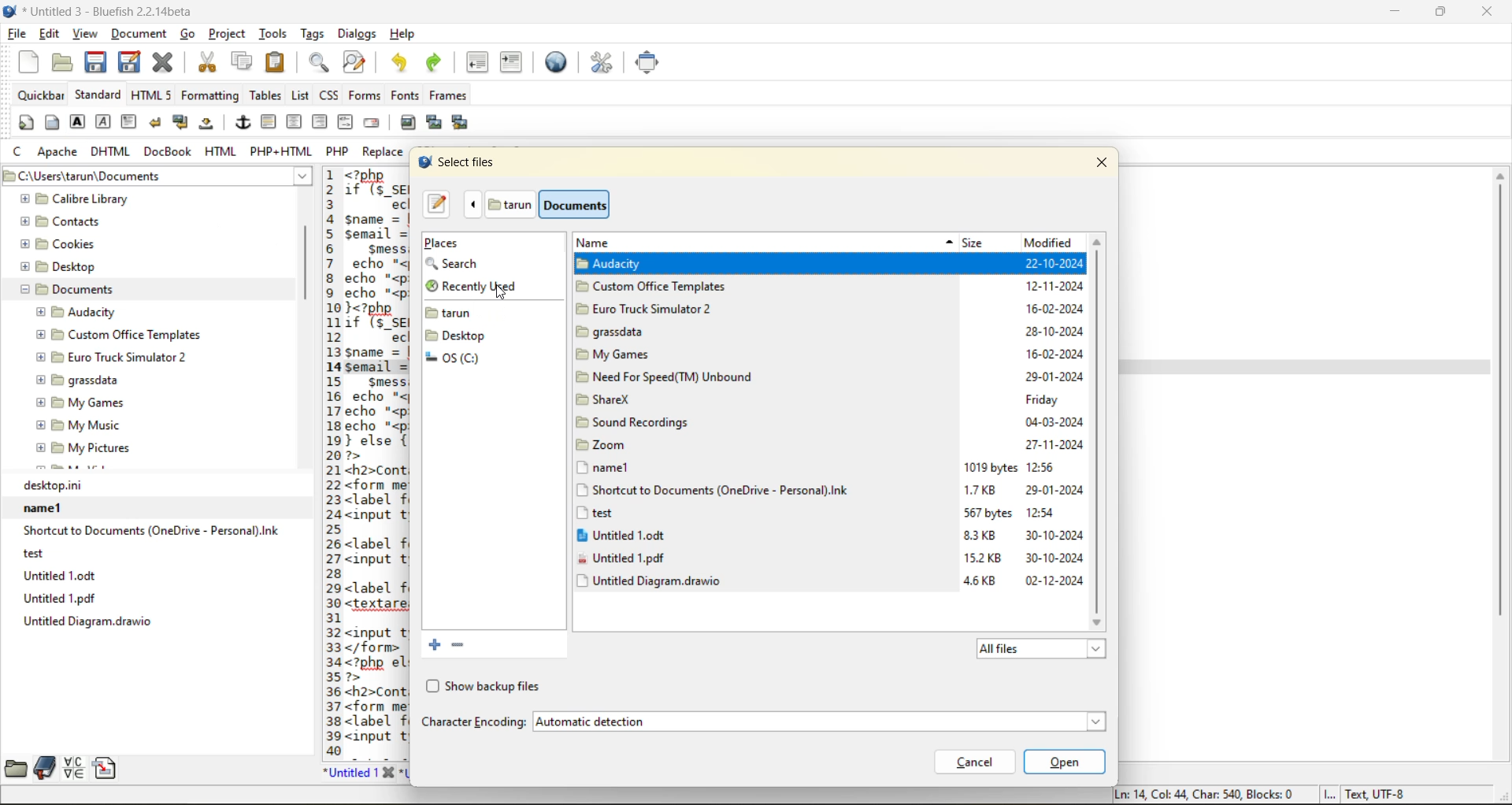 The width and height of the screenshot is (1512, 805). I want to click on name1, so click(153, 507).